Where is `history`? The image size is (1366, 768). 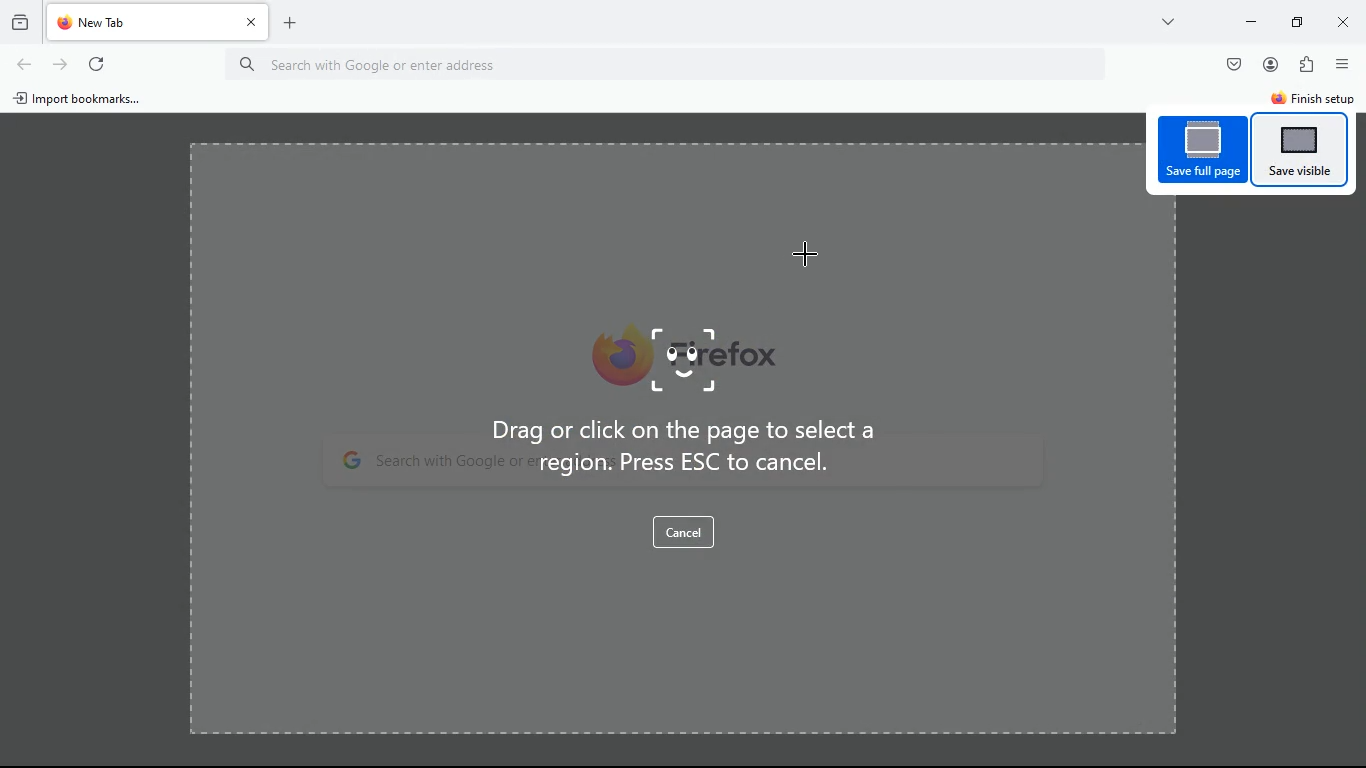 history is located at coordinates (18, 20).